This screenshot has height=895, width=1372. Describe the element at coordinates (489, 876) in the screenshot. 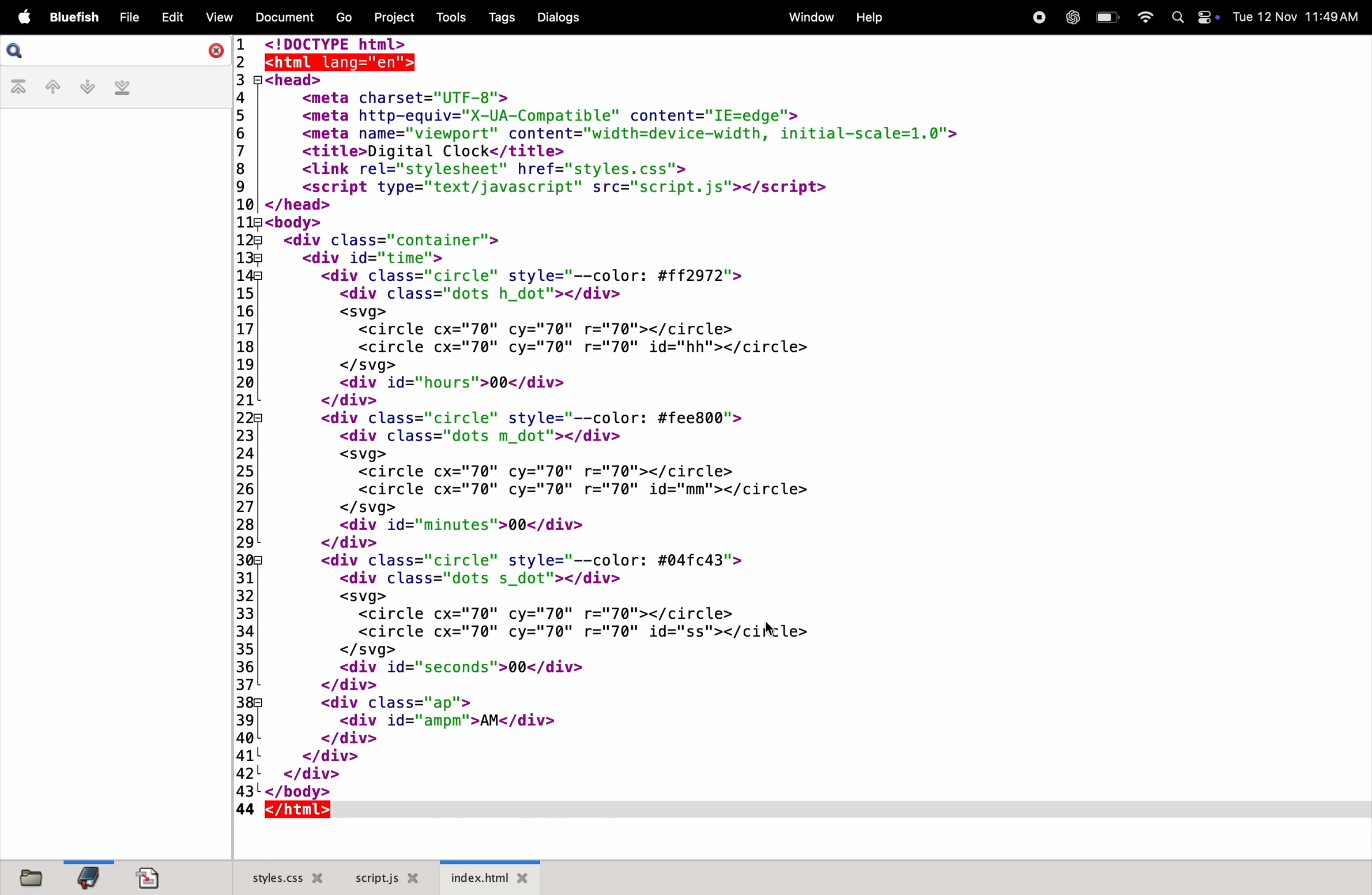

I see `index.html` at that location.